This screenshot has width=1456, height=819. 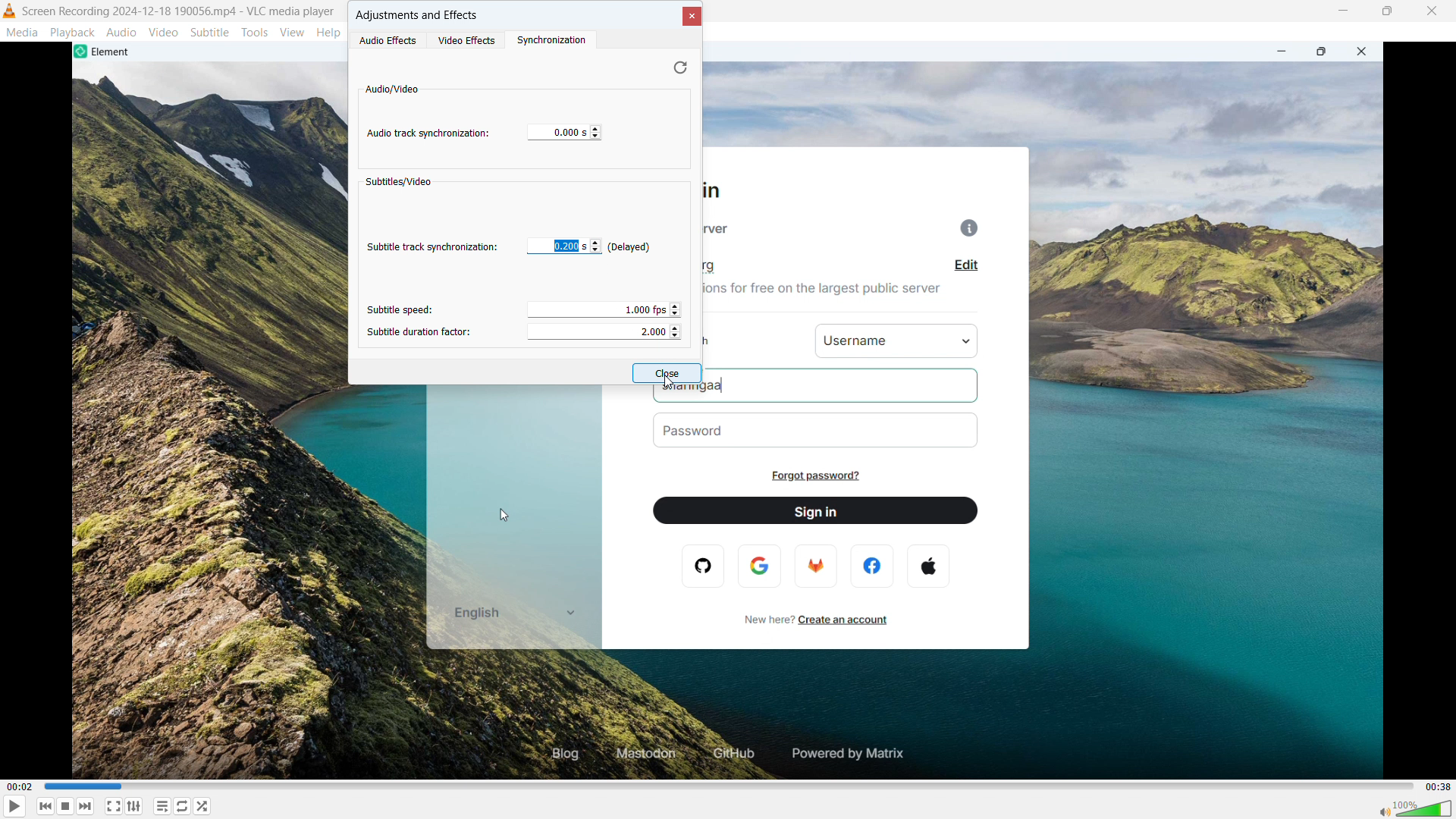 I want to click on forward or next media, so click(x=86, y=806).